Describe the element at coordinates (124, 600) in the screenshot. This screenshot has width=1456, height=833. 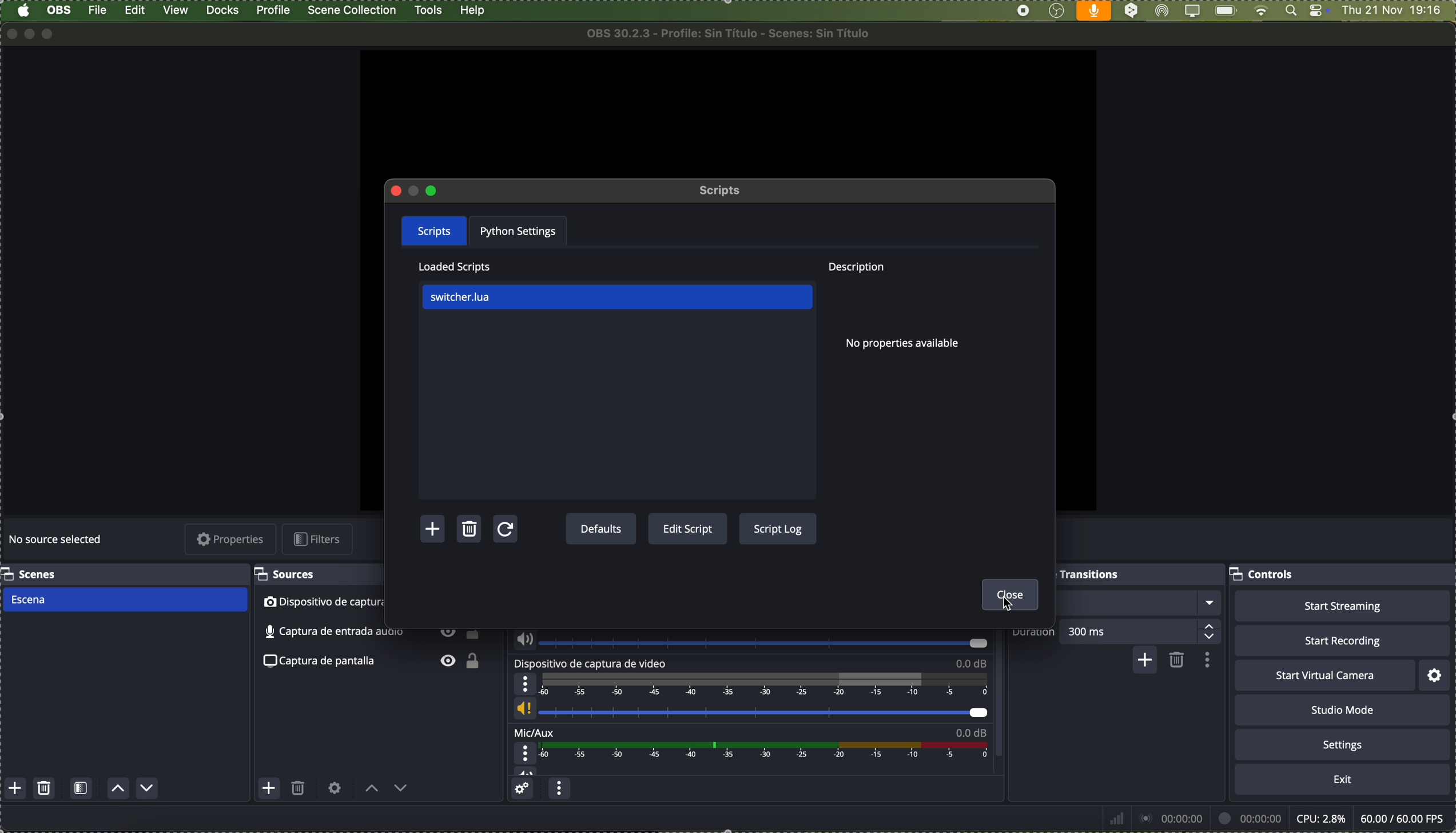
I see `scene` at that location.